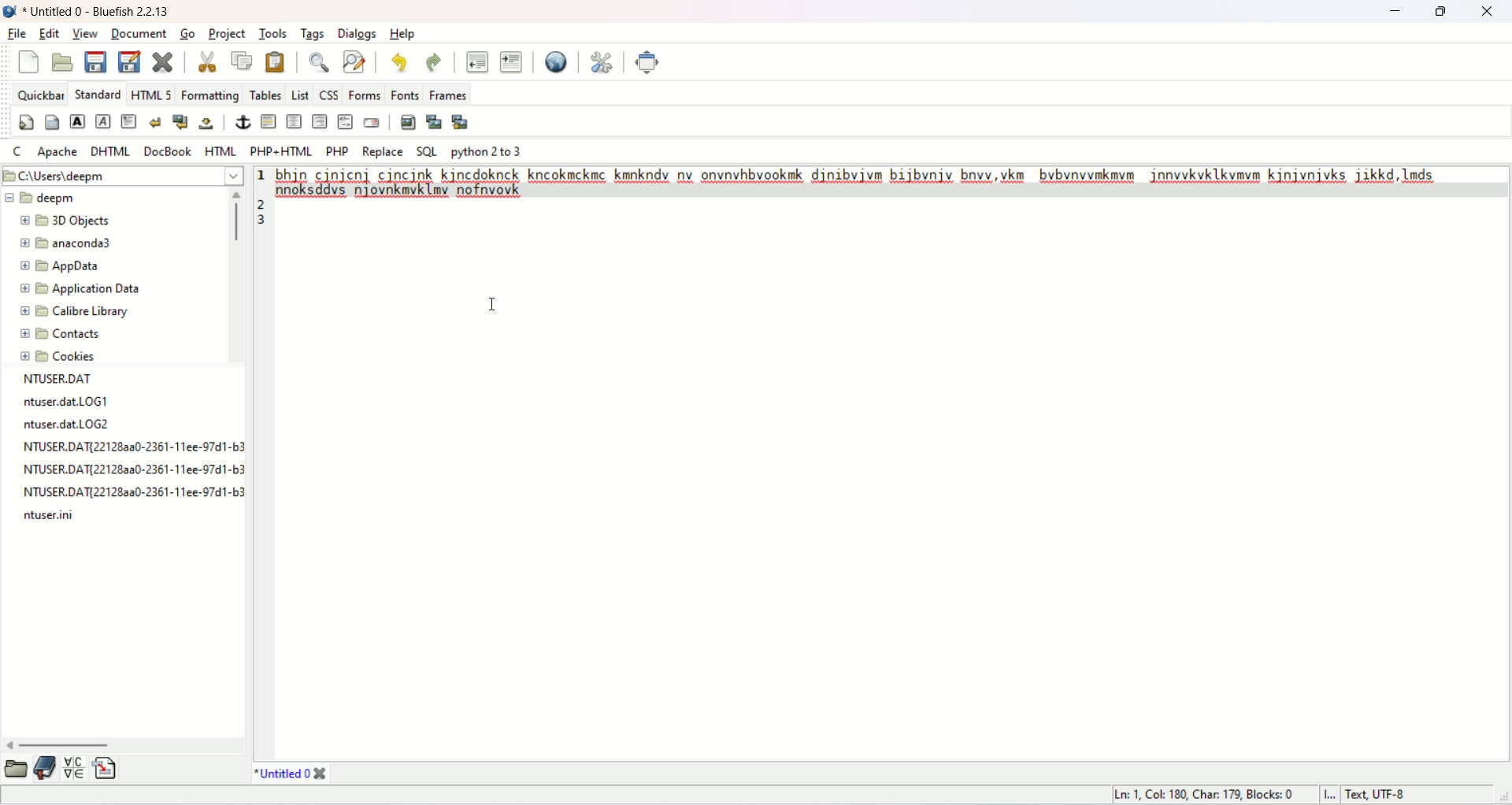 This screenshot has width=1512, height=805. What do you see at coordinates (321, 121) in the screenshot?
I see `right justify` at bounding box center [321, 121].